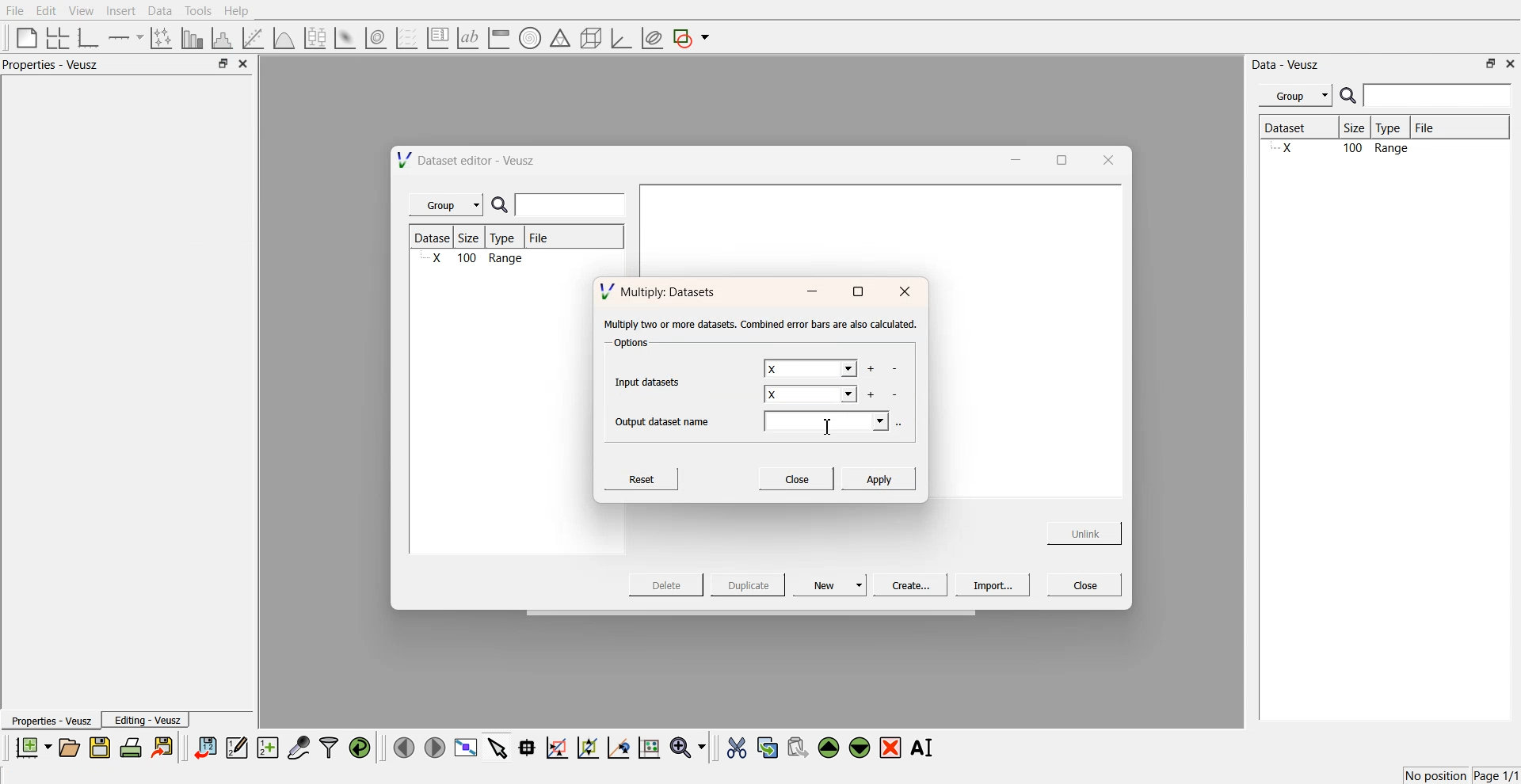  I want to click on File, so click(1439, 127).